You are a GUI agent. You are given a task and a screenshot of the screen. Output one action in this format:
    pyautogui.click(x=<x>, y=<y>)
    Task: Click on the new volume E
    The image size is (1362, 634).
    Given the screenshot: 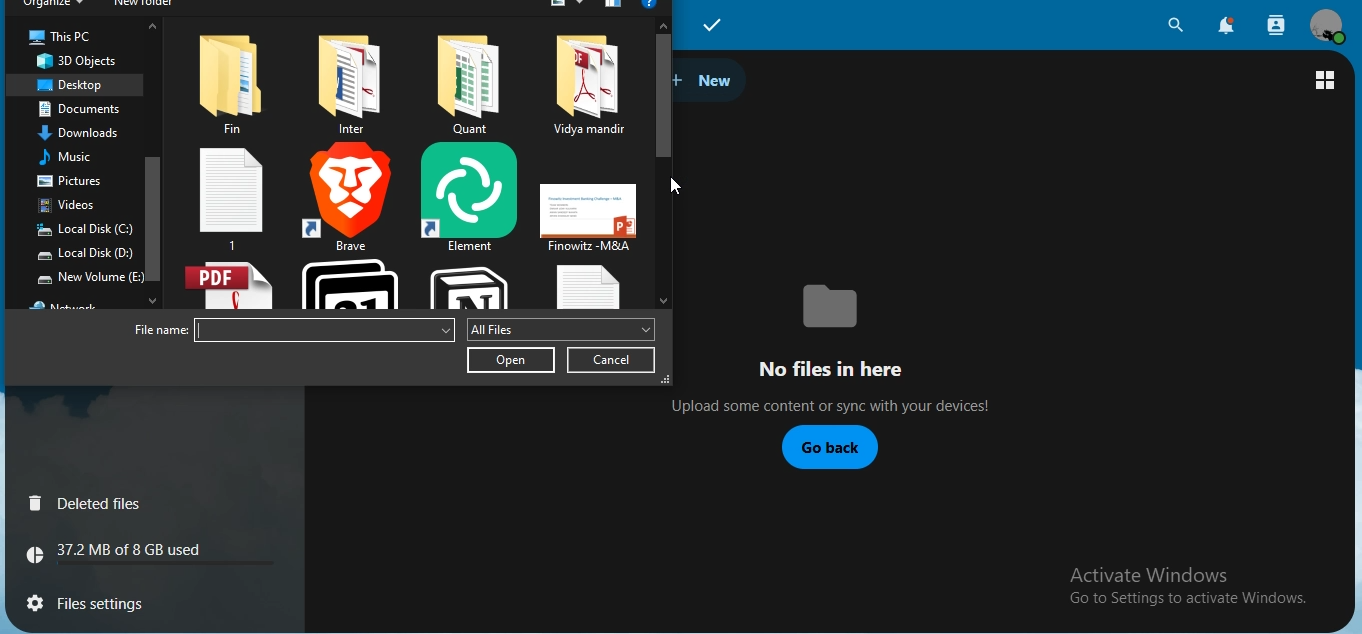 What is the action you would take?
    pyautogui.click(x=89, y=276)
    